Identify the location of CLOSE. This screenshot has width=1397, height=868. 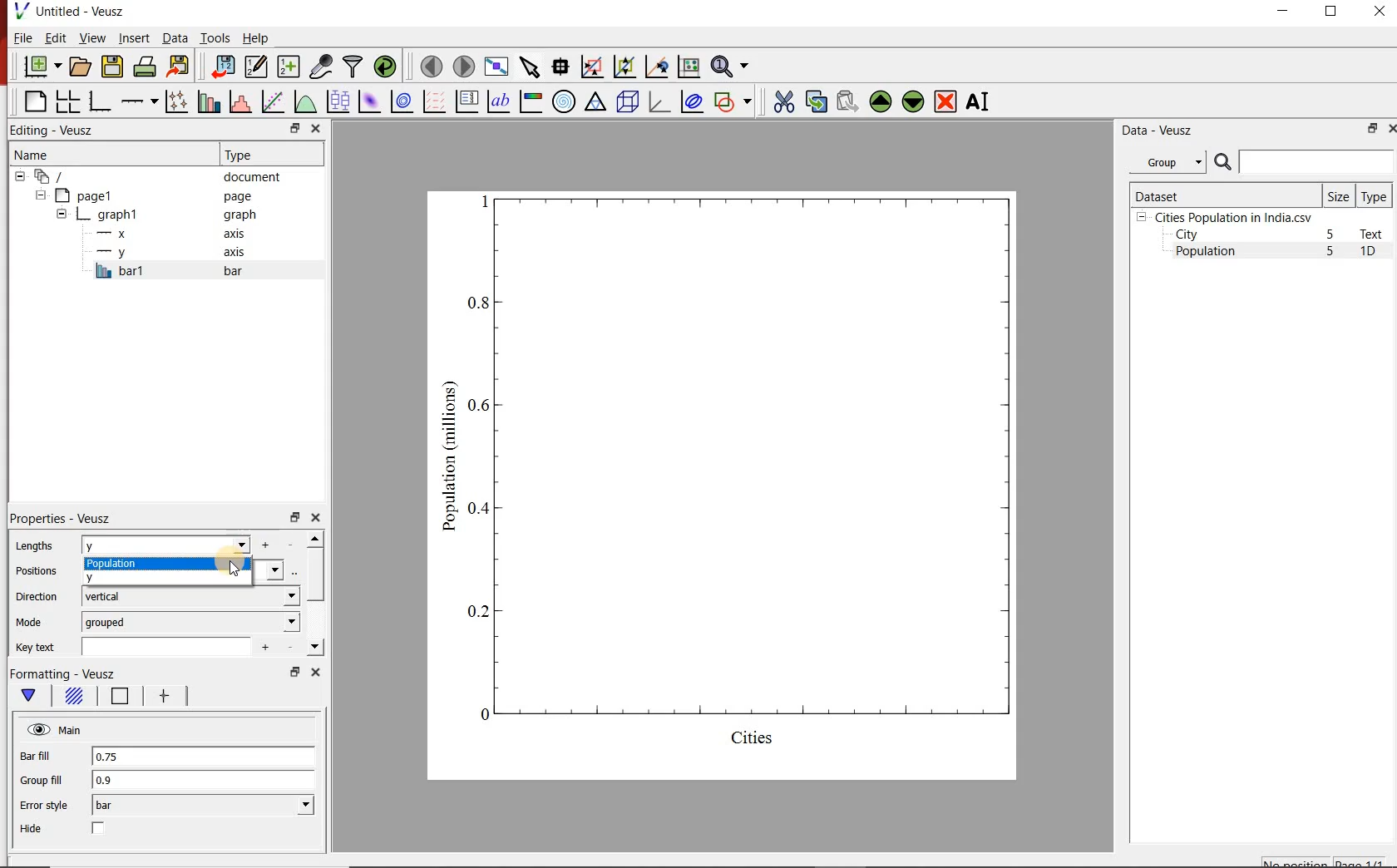
(1378, 13).